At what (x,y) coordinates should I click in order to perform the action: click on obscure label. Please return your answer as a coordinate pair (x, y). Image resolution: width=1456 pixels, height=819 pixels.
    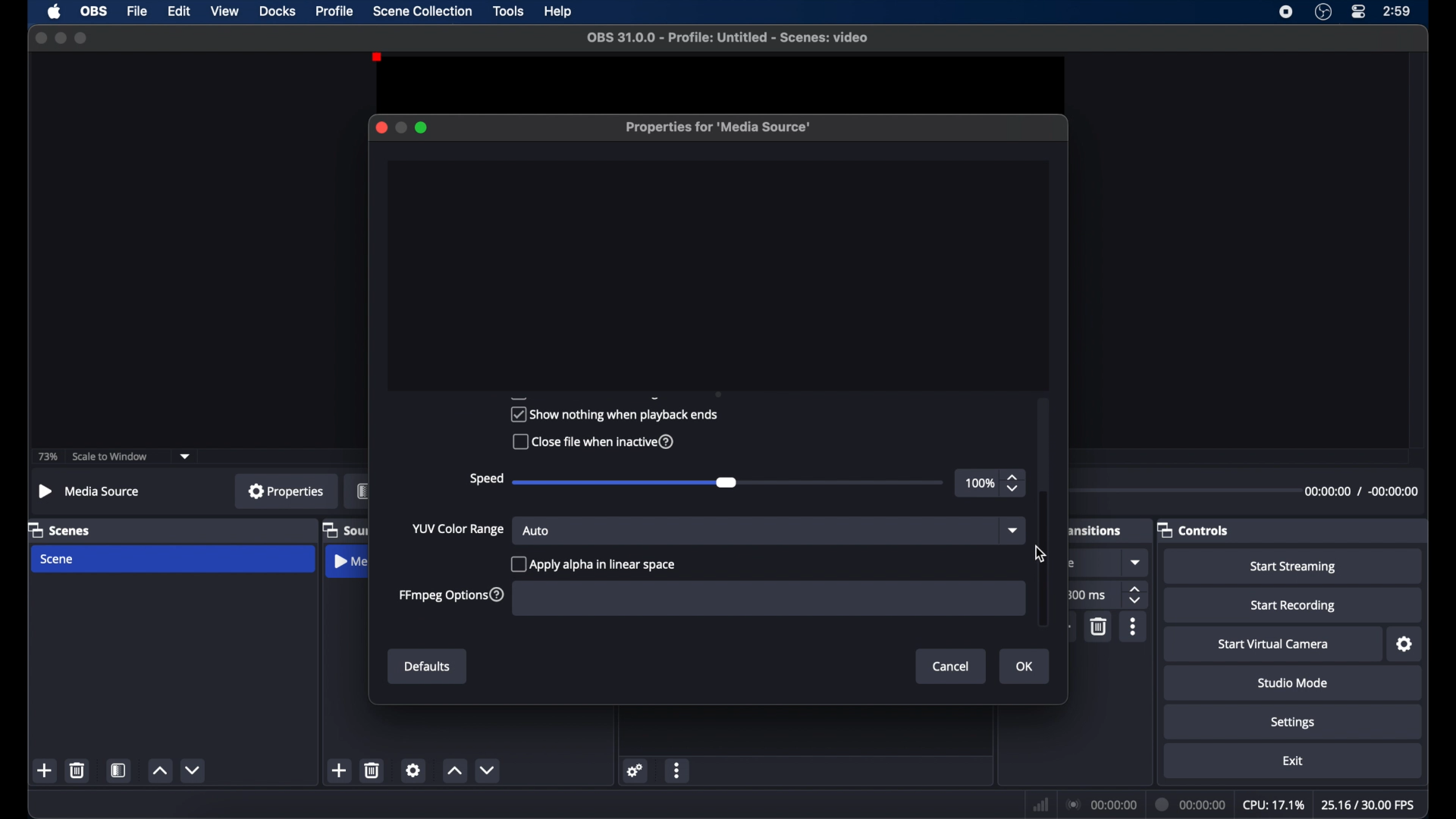
    Looking at the image, I should click on (362, 491).